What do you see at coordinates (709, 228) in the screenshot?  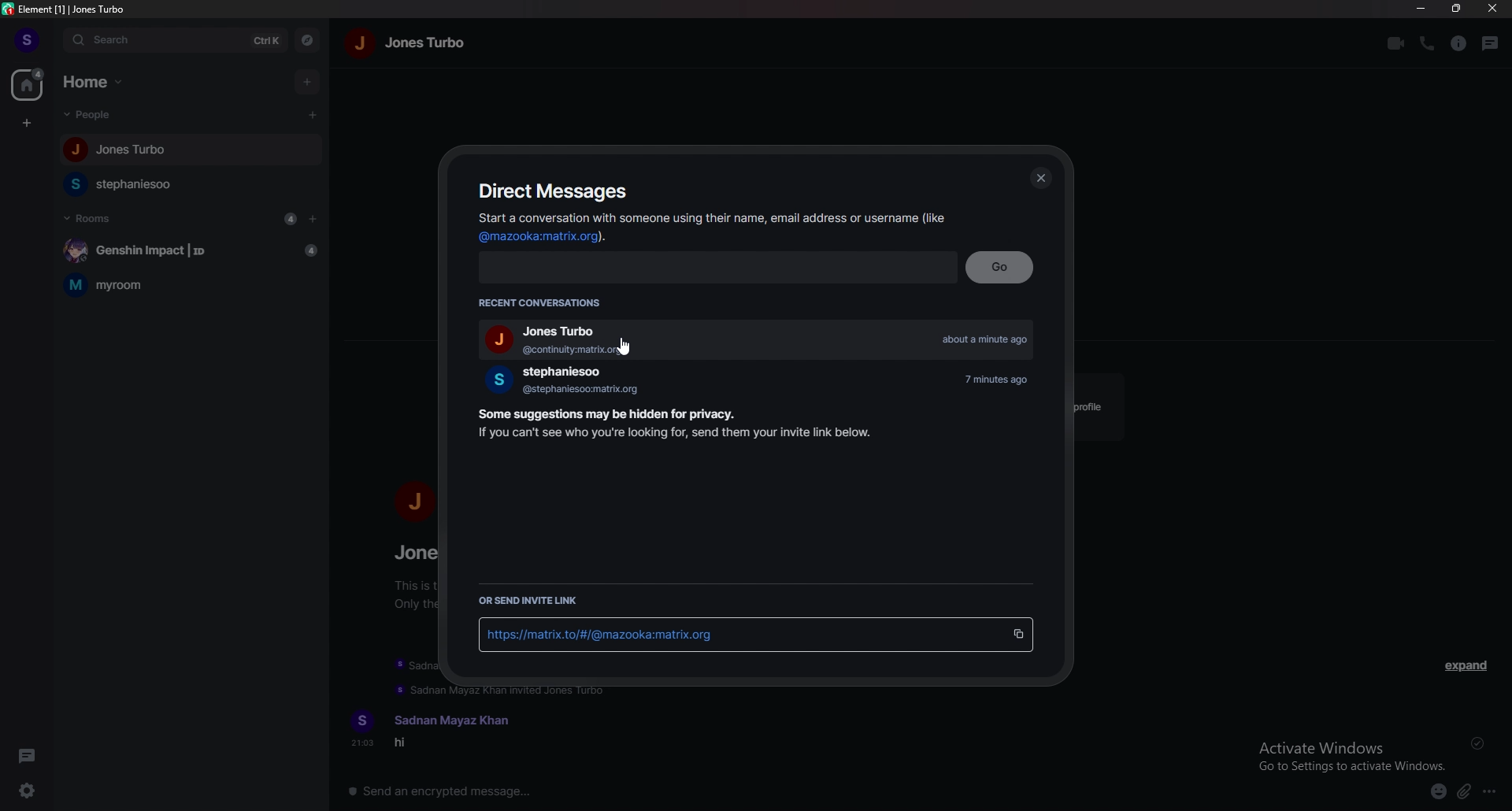 I see `Start a conversation with someone using their name, email address or username (like @mazooka:matrix.org).` at bounding box center [709, 228].